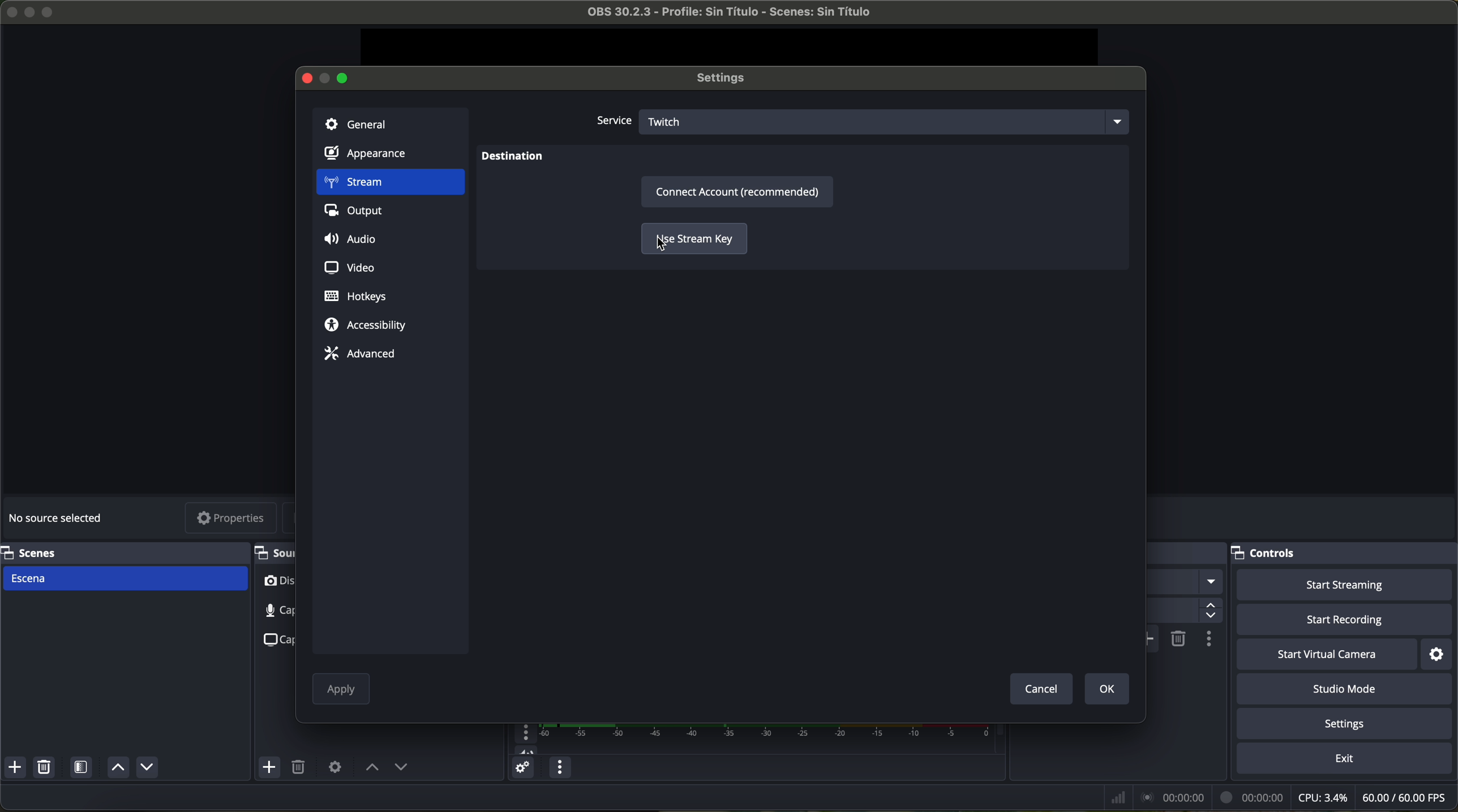 The height and width of the screenshot is (812, 1458). Describe the element at coordinates (1346, 621) in the screenshot. I see `start recording` at that location.